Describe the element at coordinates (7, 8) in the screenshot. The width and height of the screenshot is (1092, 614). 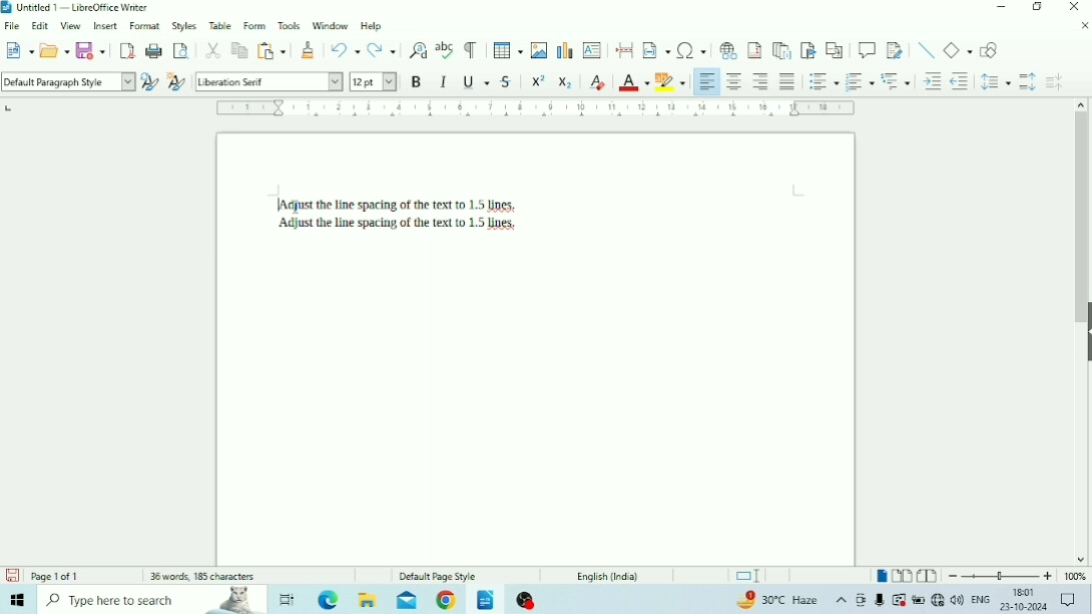
I see `Logo` at that location.